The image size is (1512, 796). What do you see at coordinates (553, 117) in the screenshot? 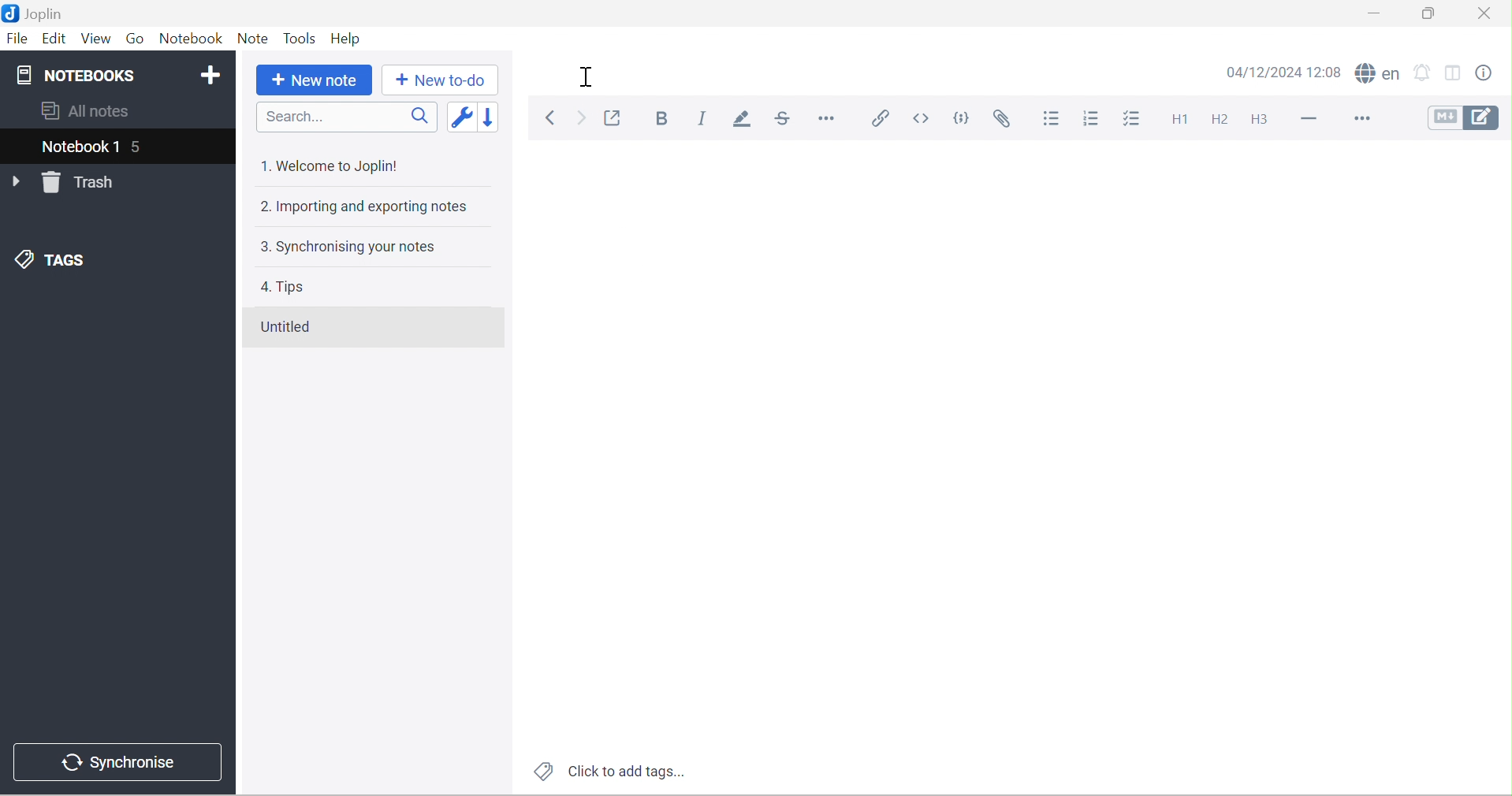
I see `Back` at bounding box center [553, 117].